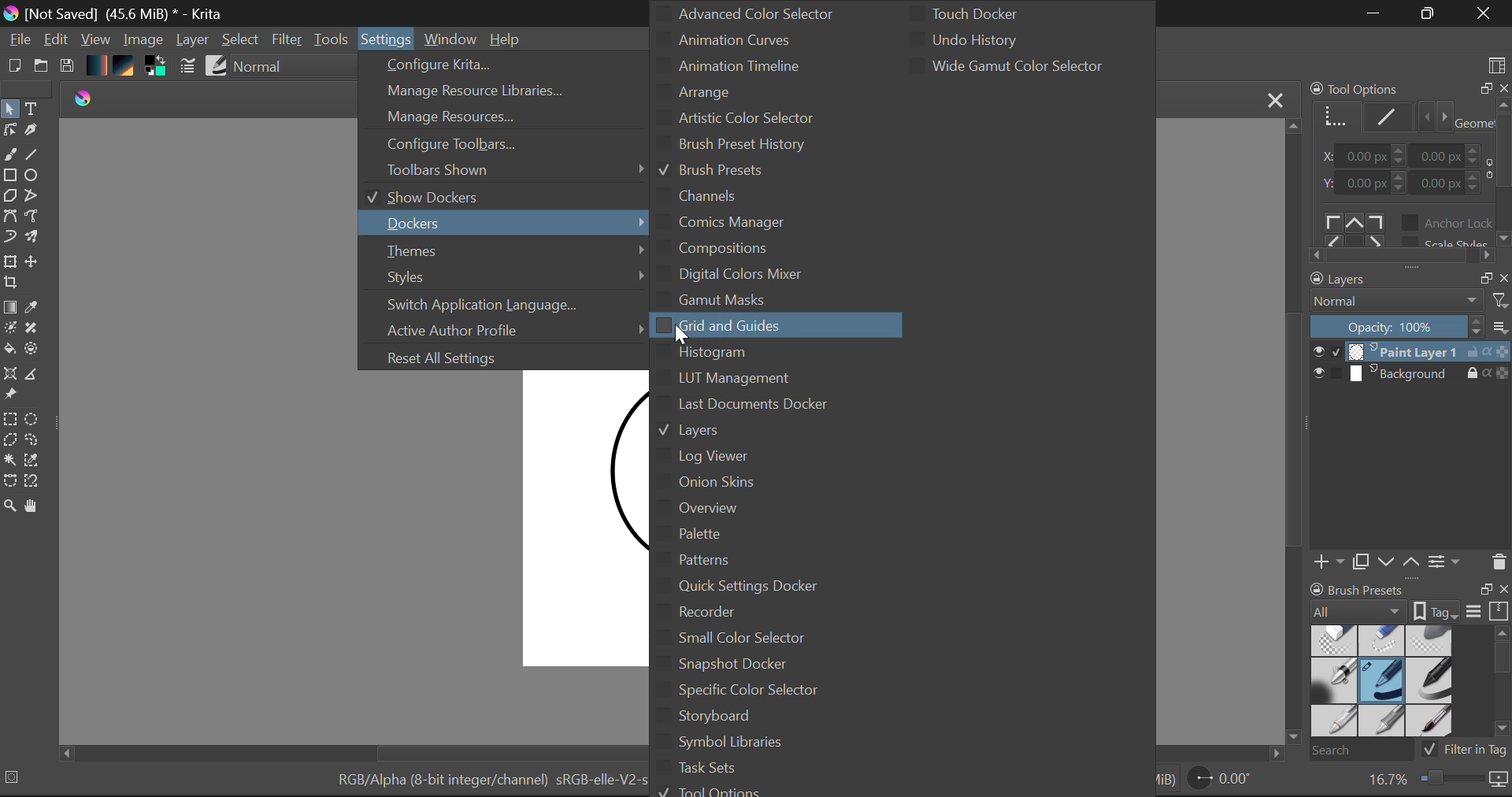 Image resolution: width=1512 pixels, height=797 pixels. What do you see at coordinates (506, 279) in the screenshot?
I see `Styles ` at bounding box center [506, 279].